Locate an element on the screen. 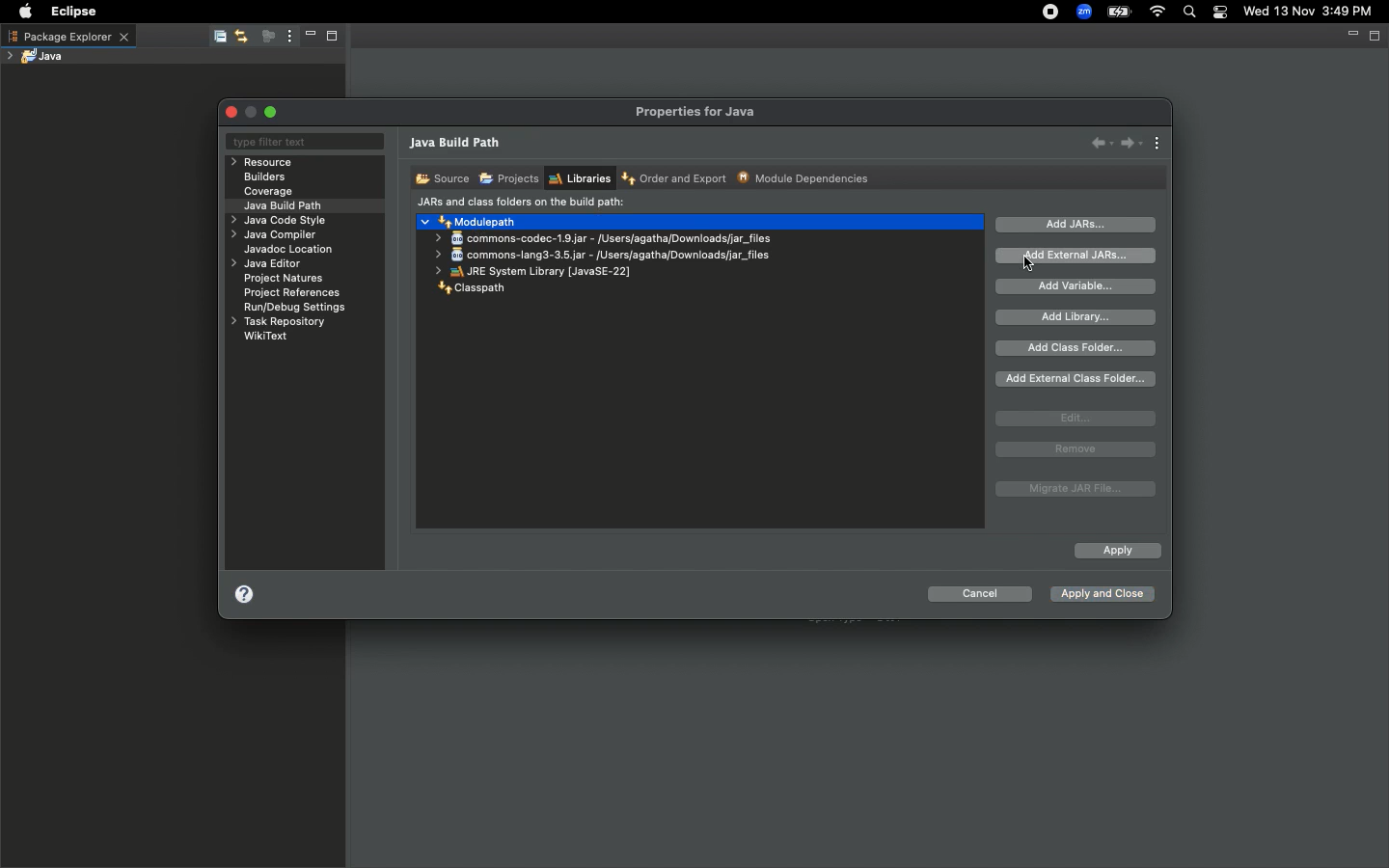 Image resolution: width=1389 pixels, height=868 pixels. Search is located at coordinates (1190, 14).